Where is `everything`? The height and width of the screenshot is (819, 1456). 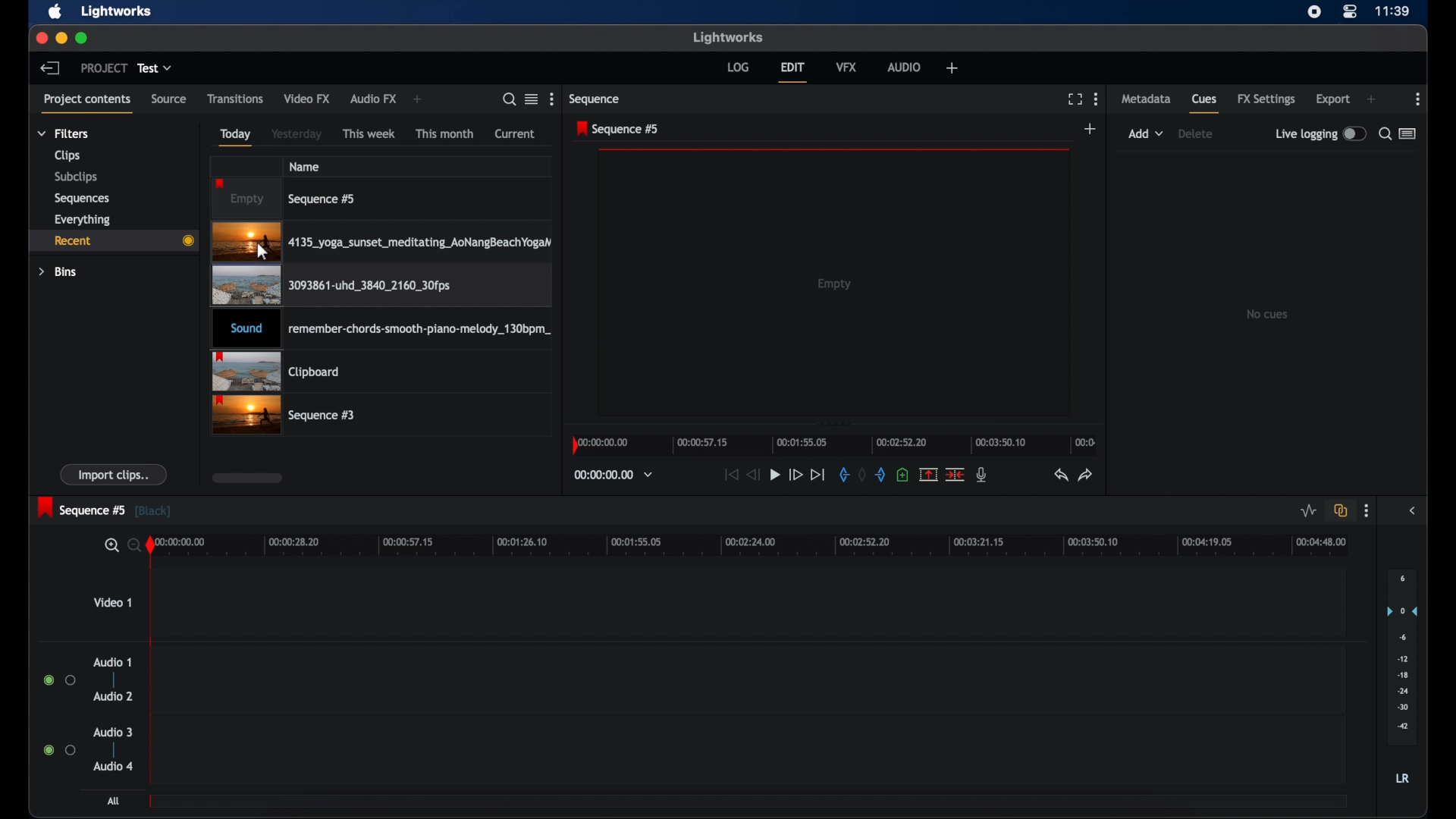
everything is located at coordinates (83, 220).